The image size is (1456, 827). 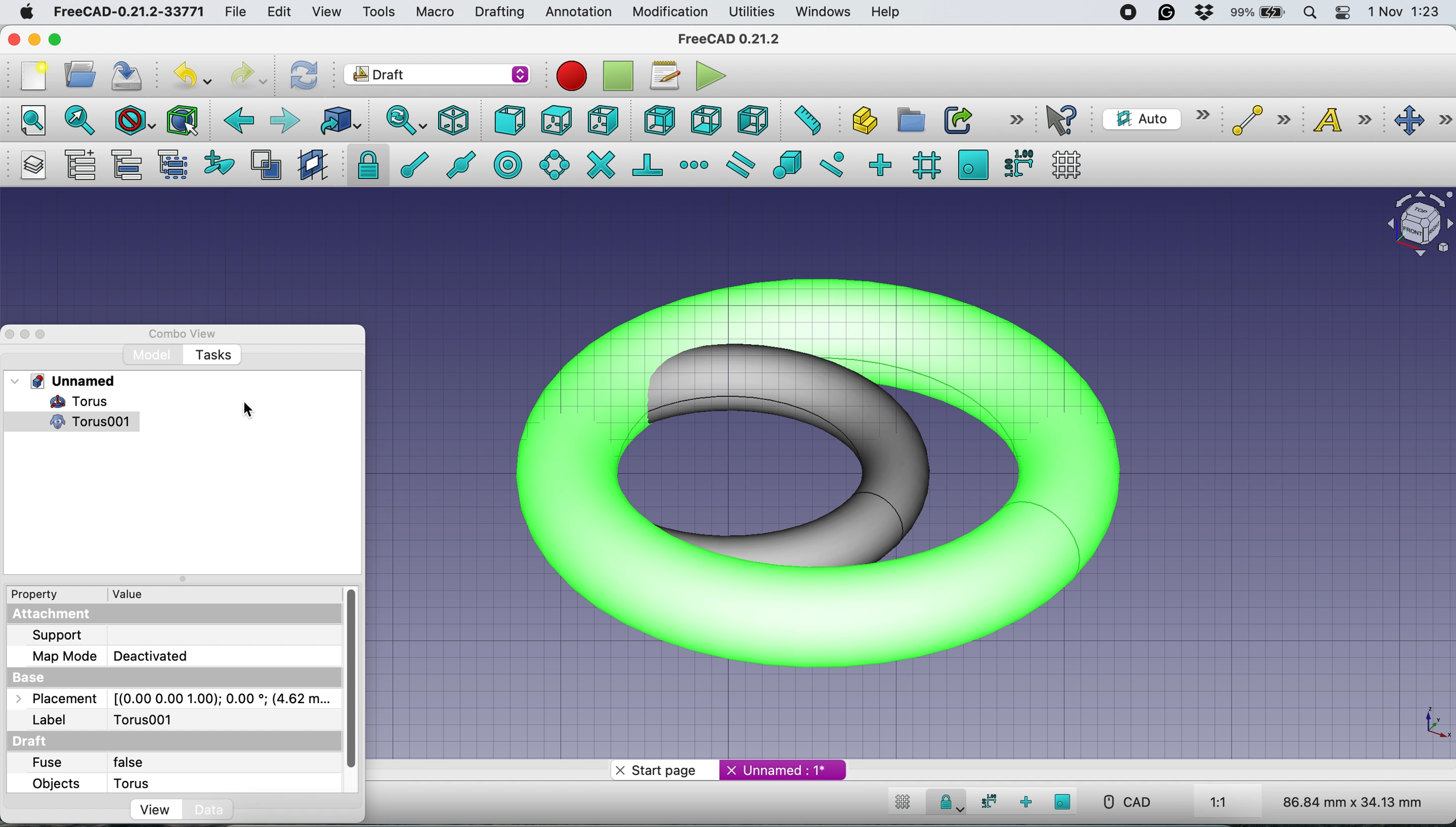 I want to click on The objects included in this clone, so click(x=221, y=782).